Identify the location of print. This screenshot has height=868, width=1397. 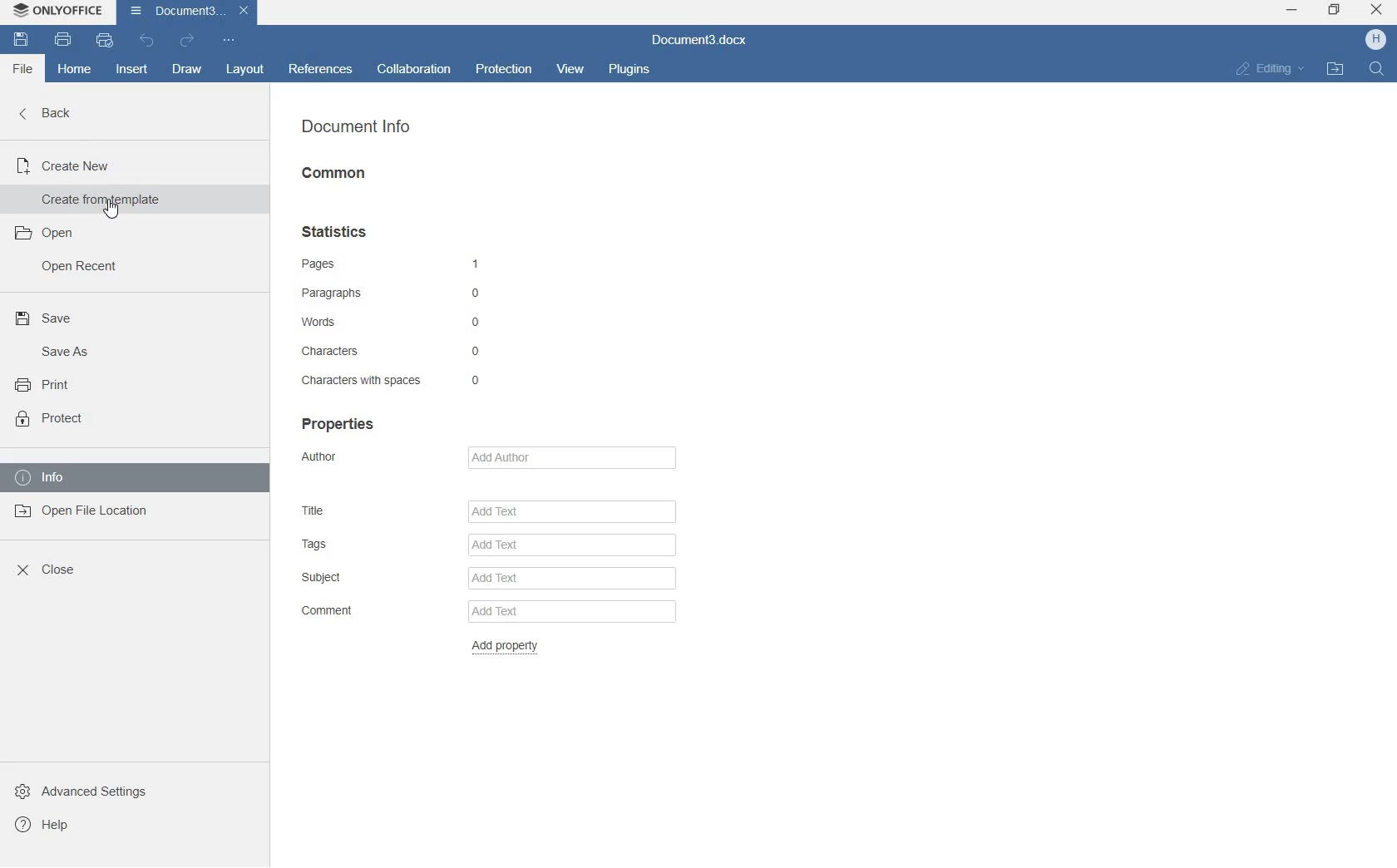
(48, 382).